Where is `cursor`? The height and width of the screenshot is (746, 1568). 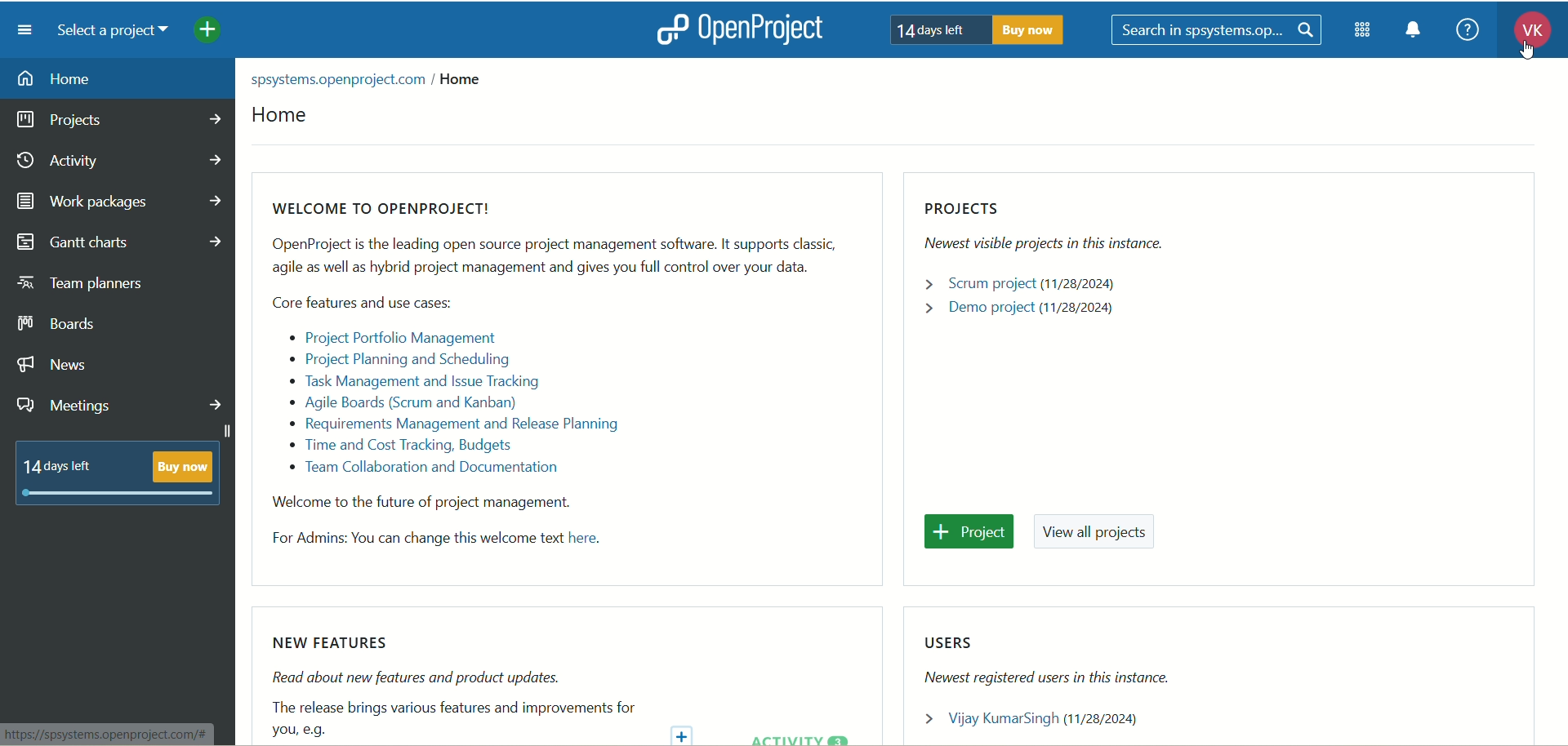 cursor is located at coordinates (1523, 55).